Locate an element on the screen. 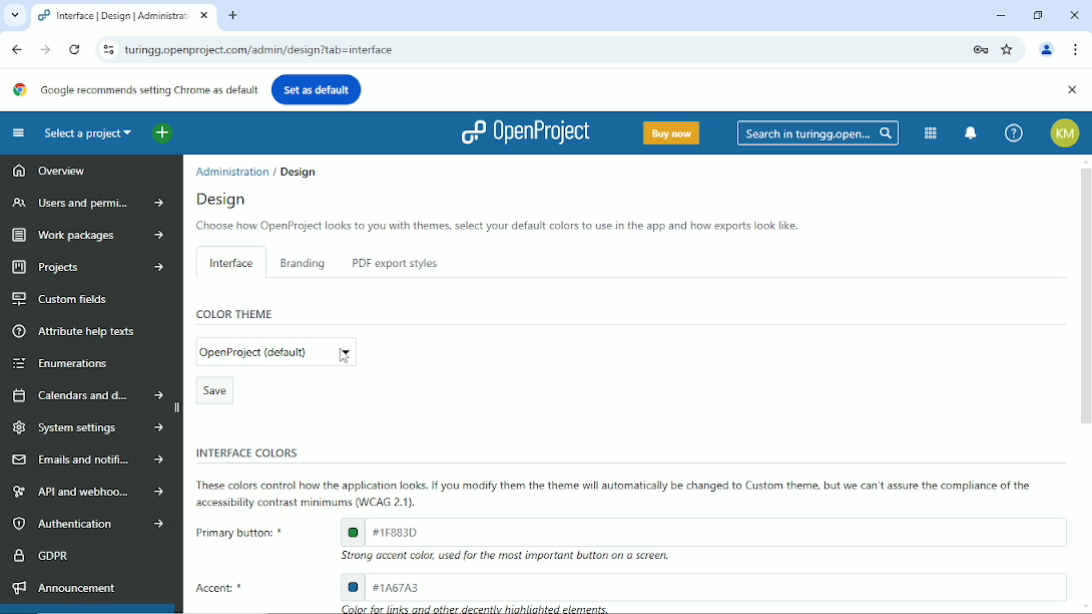  Select a project is located at coordinates (88, 133).